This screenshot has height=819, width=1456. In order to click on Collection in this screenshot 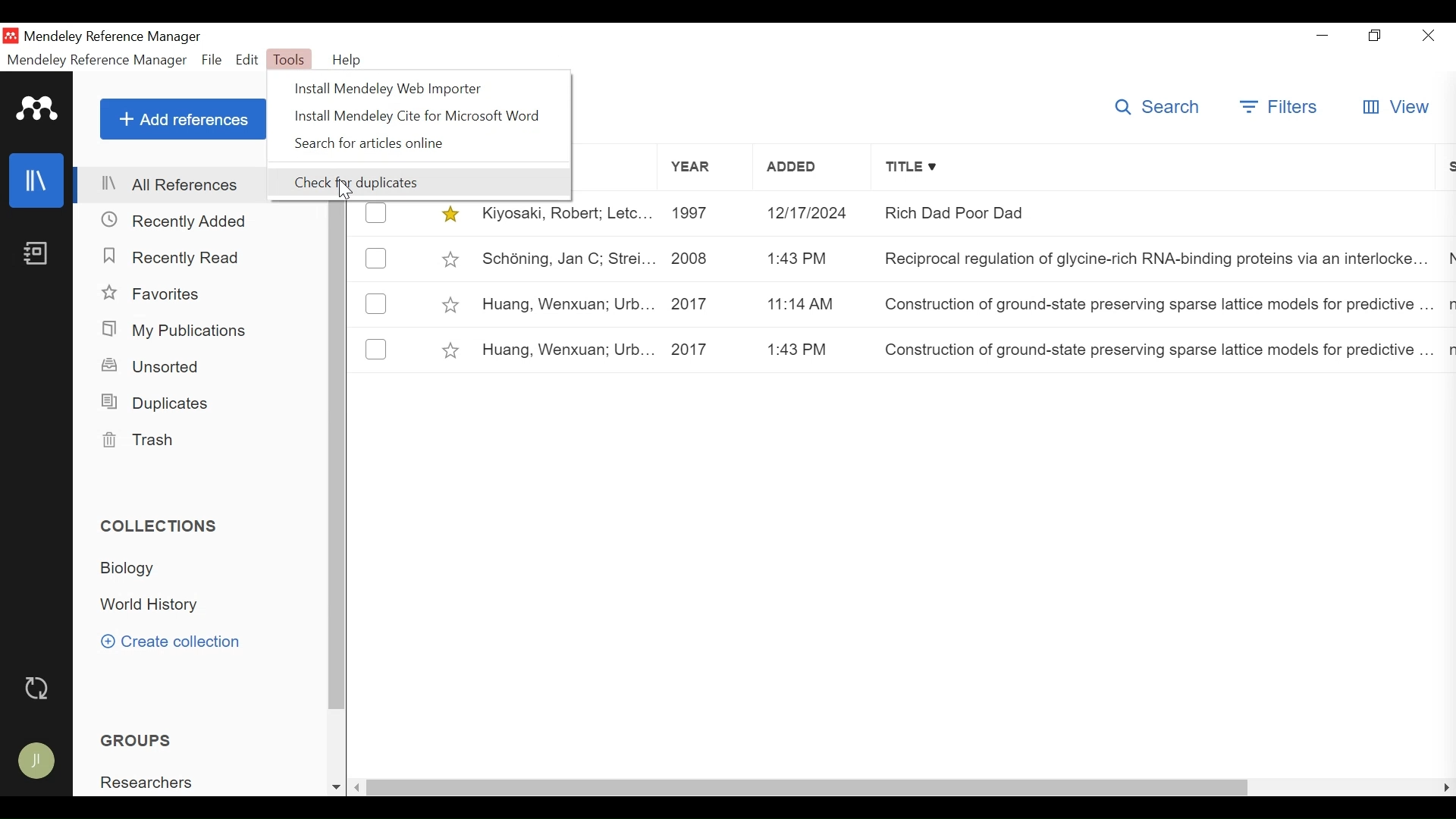, I will do `click(155, 605)`.